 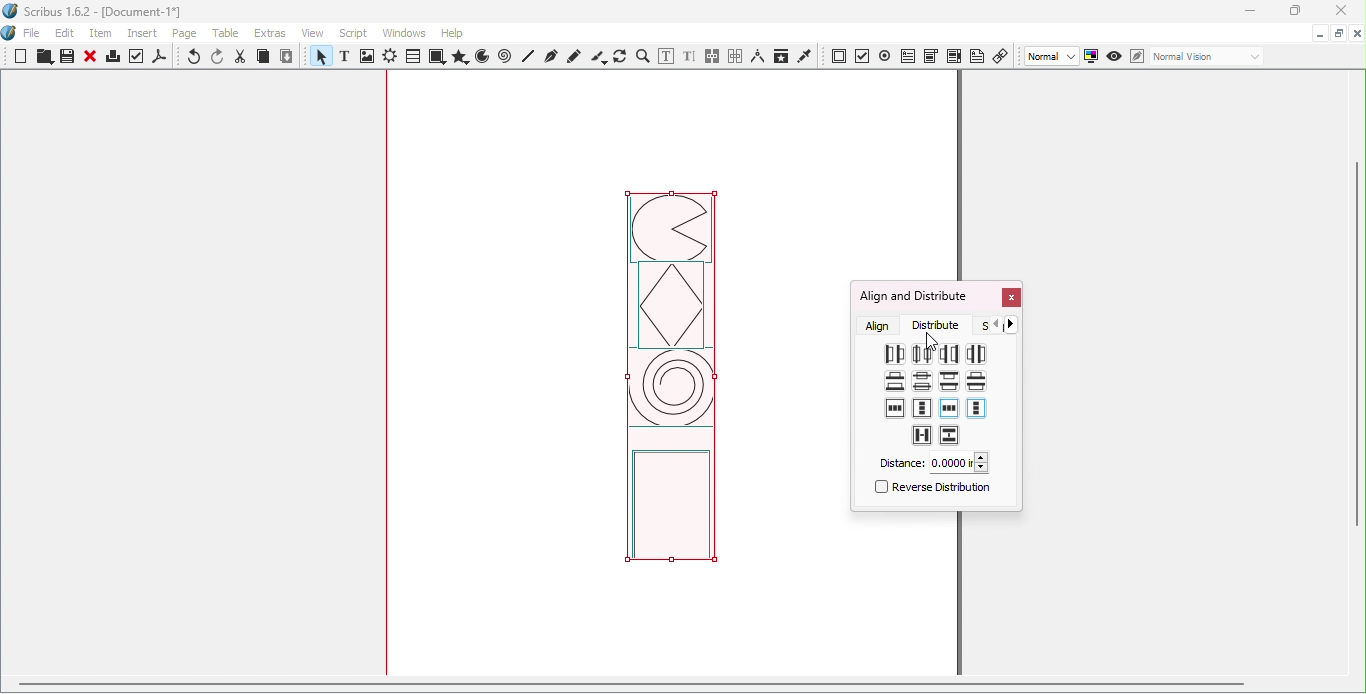 What do you see at coordinates (949, 380) in the screenshot?
I see `Distribute tops equidistantly` at bounding box center [949, 380].